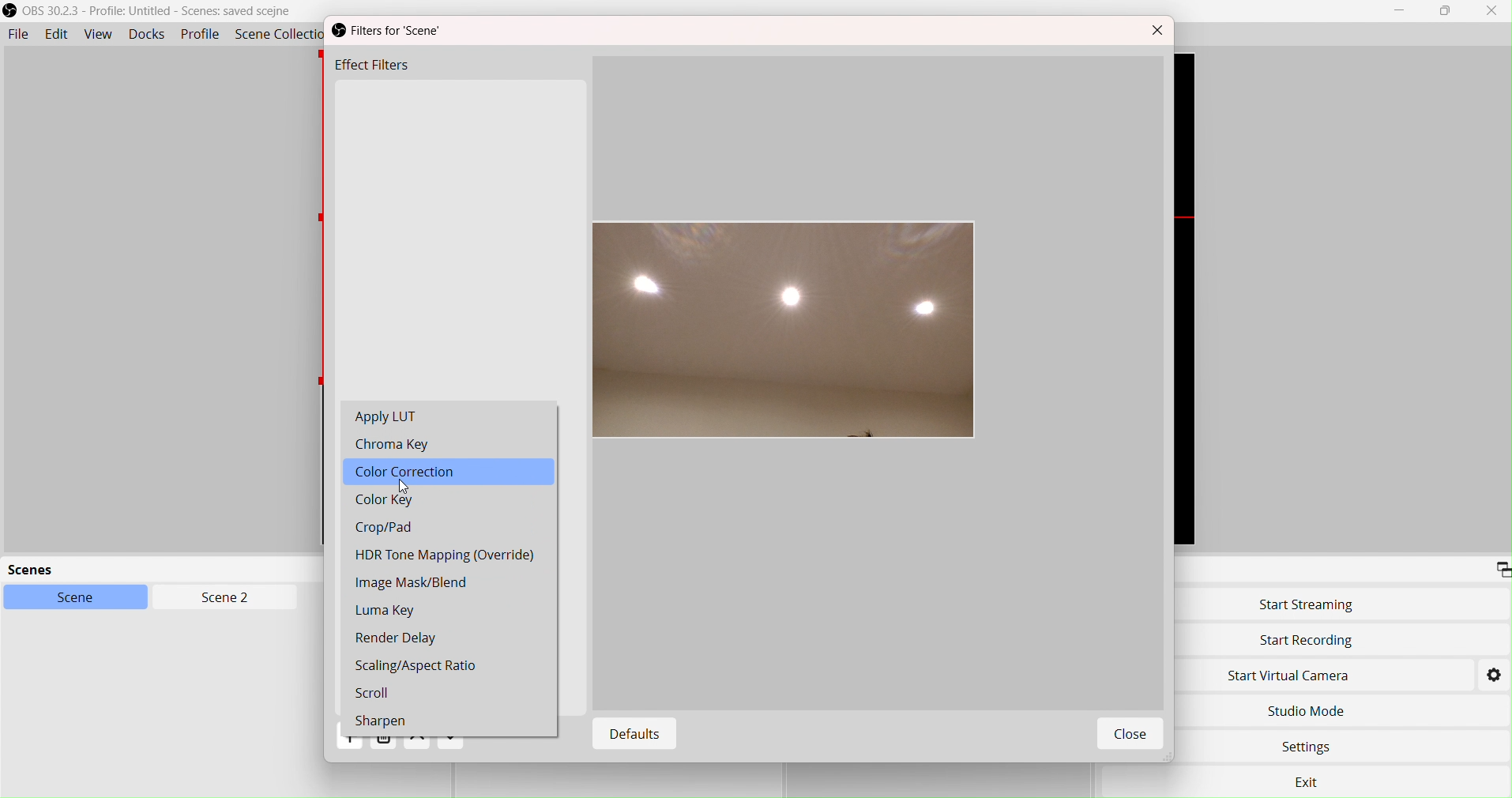 The width and height of the screenshot is (1512, 798). I want to click on Start Recording, so click(1307, 641).